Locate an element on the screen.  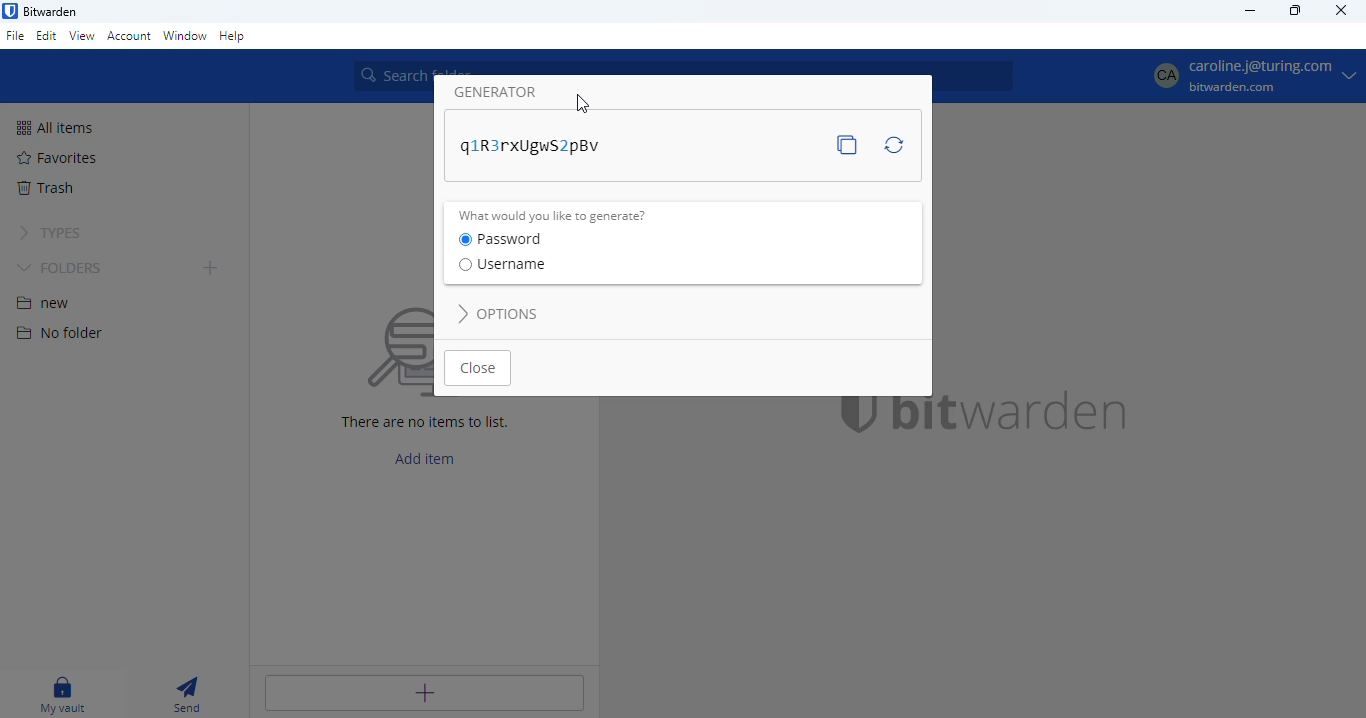
username is located at coordinates (502, 264).